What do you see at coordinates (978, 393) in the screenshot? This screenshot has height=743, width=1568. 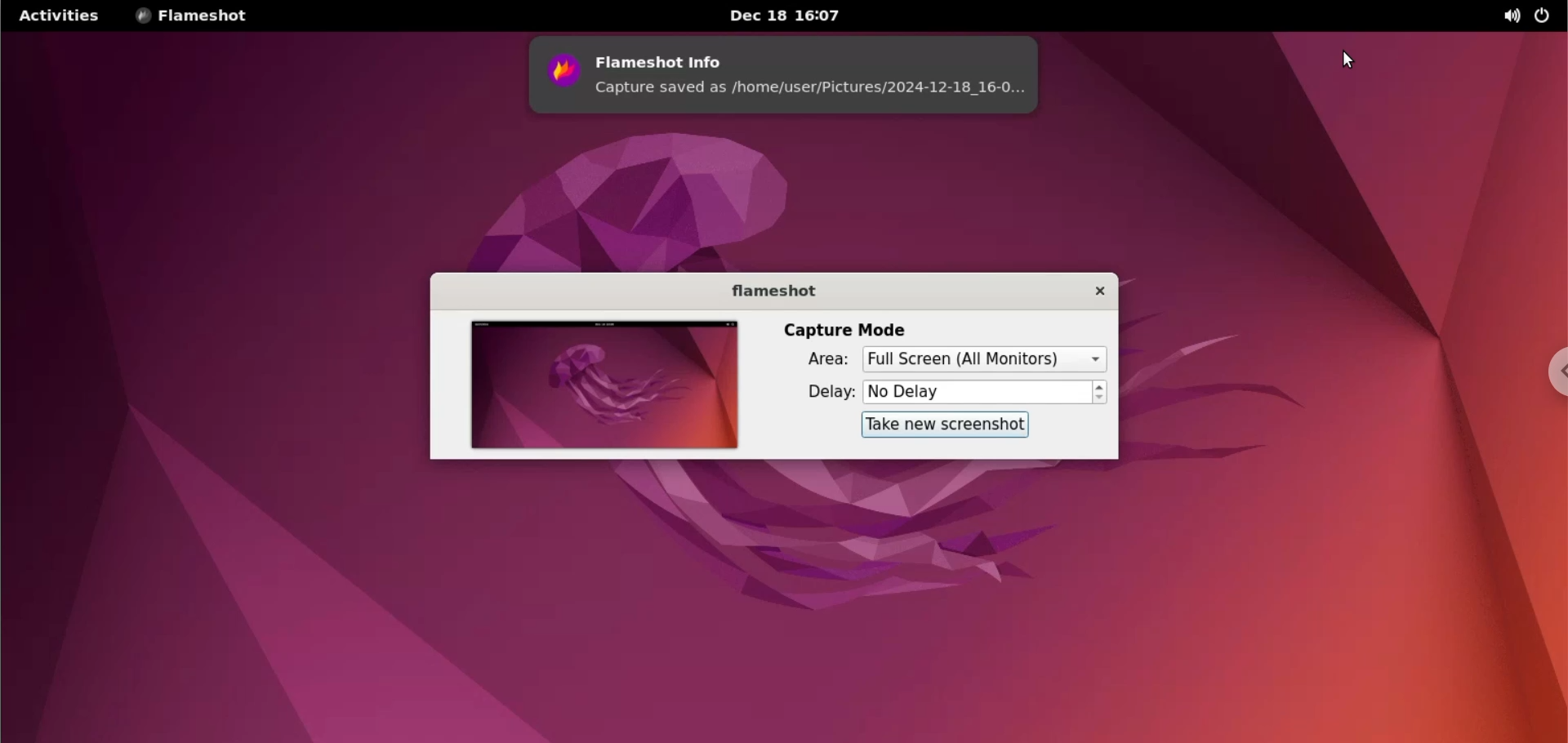 I see `delay options` at bounding box center [978, 393].